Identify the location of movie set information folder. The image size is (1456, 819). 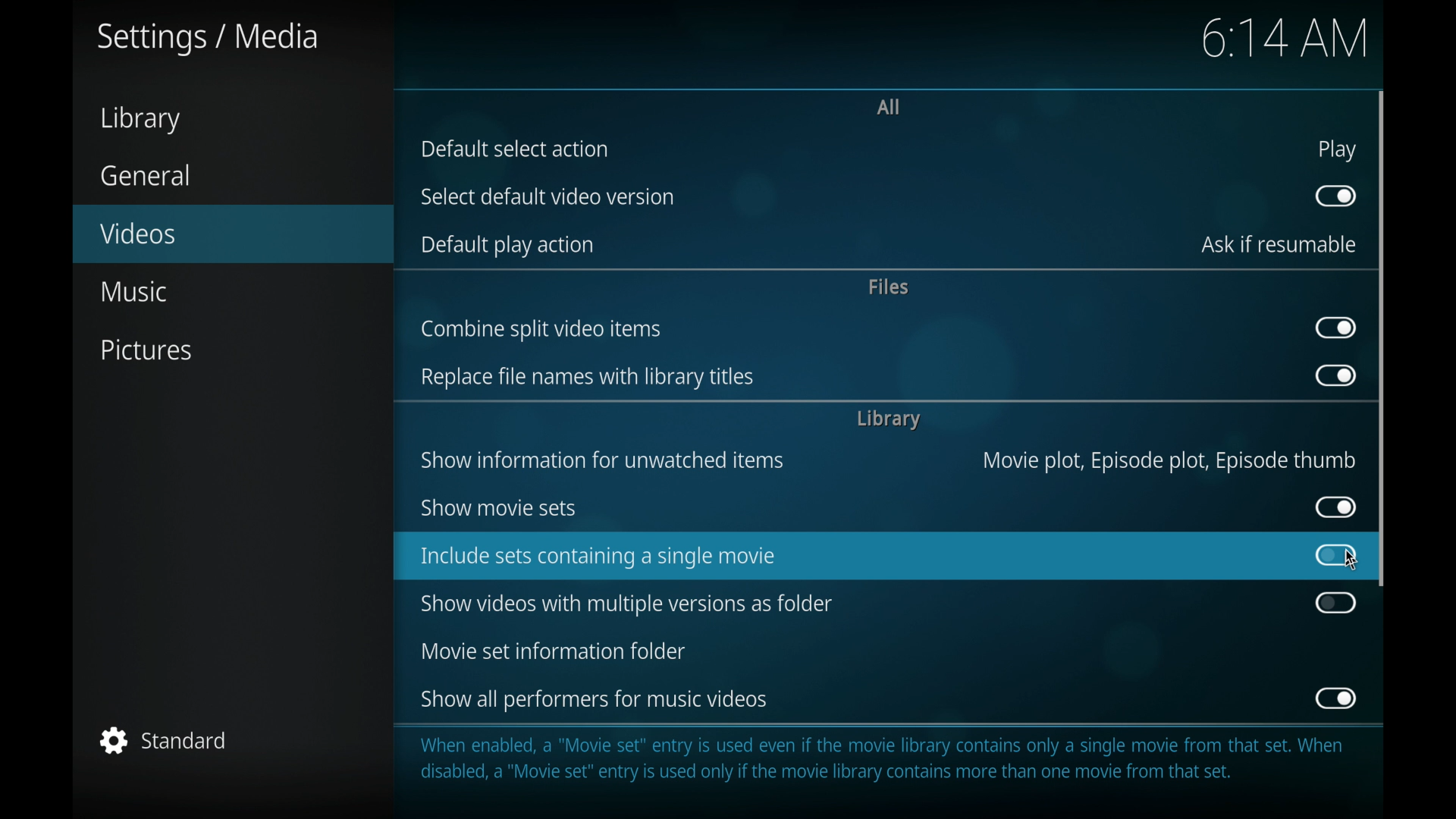
(552, 651).